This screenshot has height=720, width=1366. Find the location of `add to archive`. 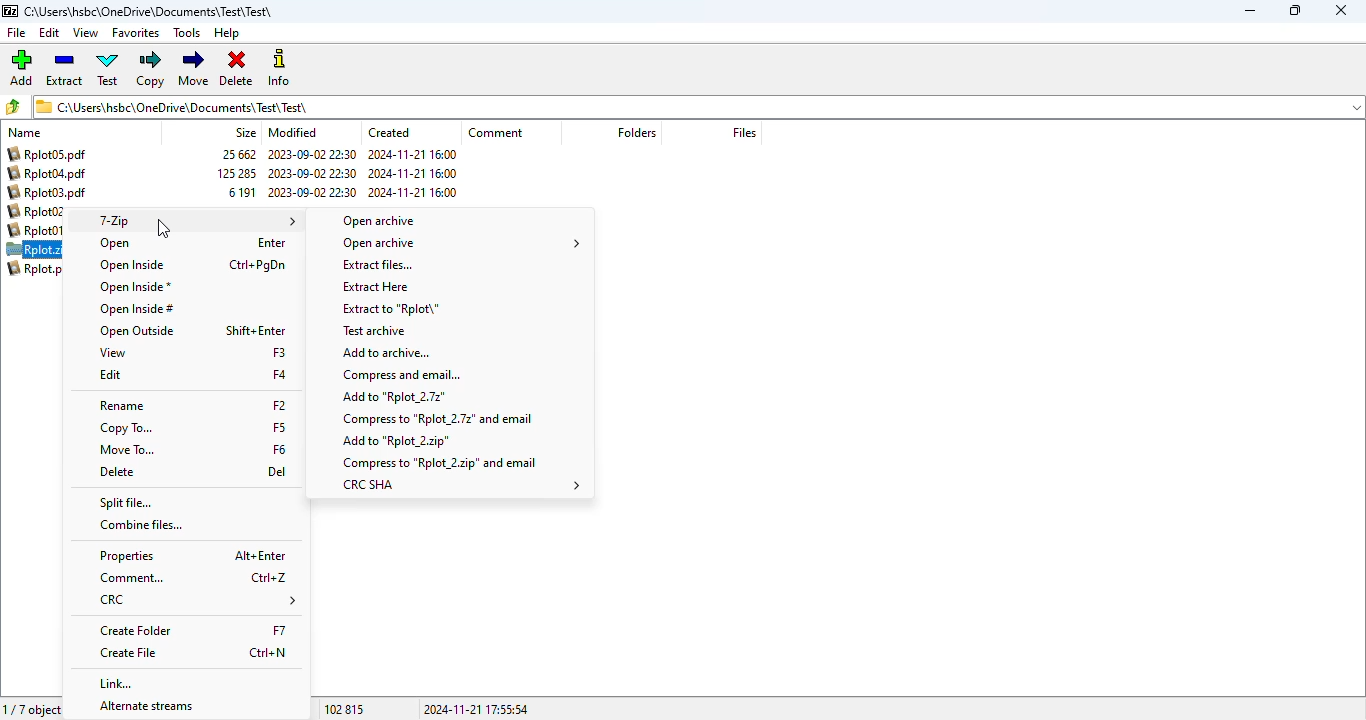

add to archive is located at coordinates (385, 352).